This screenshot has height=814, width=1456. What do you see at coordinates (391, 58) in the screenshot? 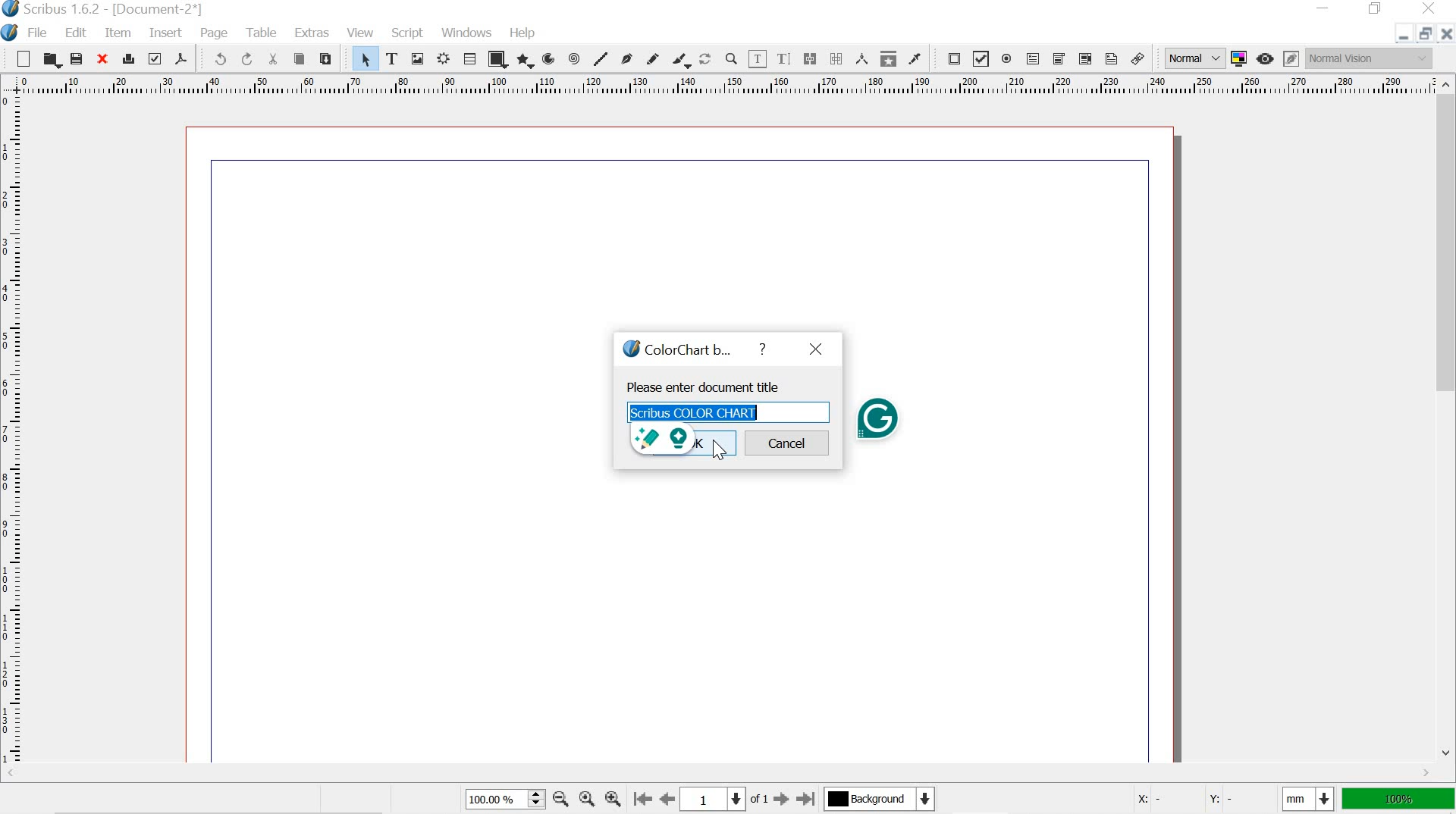
I see `text frame` at bounding box center [391, 58].